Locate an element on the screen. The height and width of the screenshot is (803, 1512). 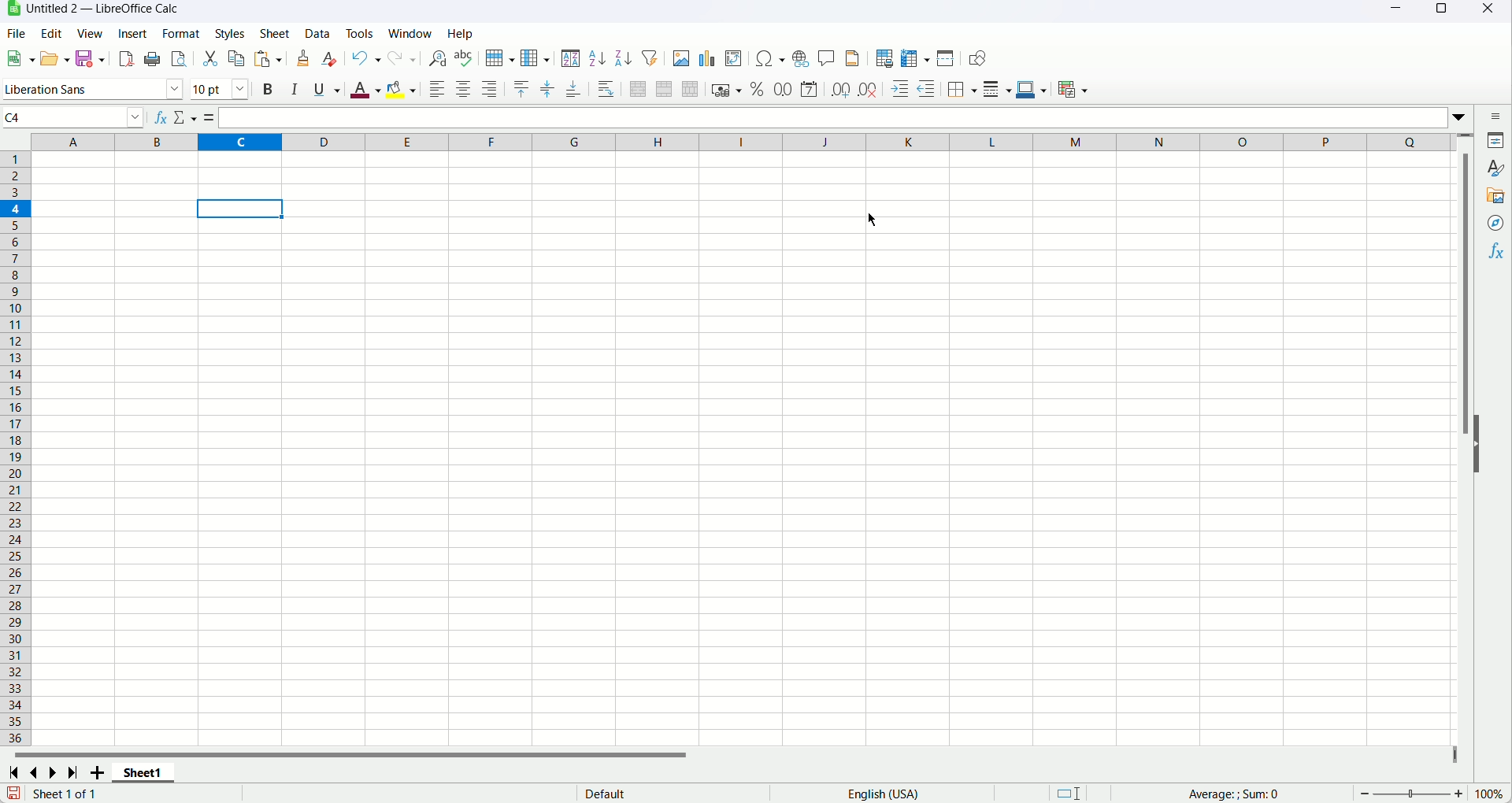
Formula is located at coordinates (212, 119).